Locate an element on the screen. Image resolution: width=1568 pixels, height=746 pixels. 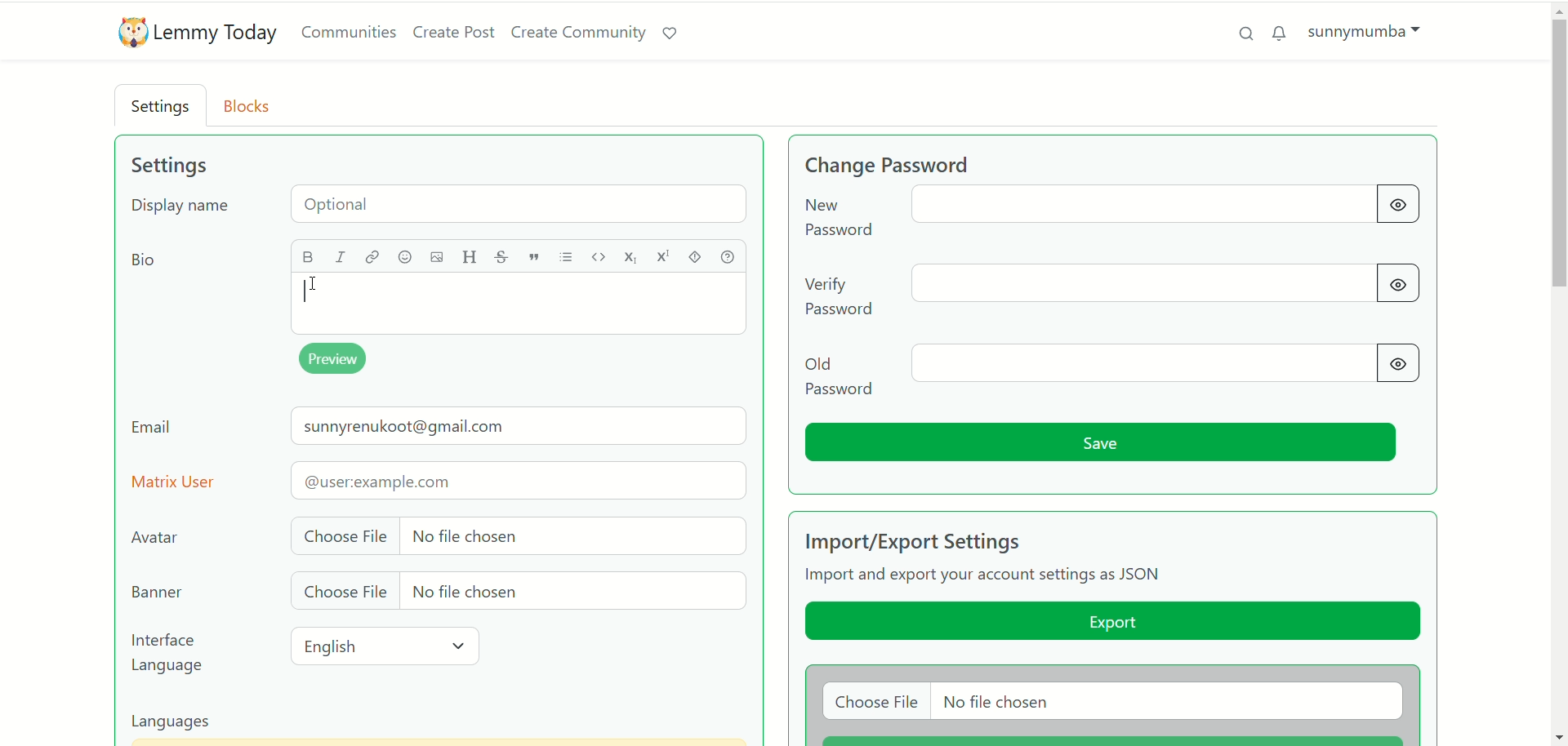
create post is located at coordinates (454, 34).